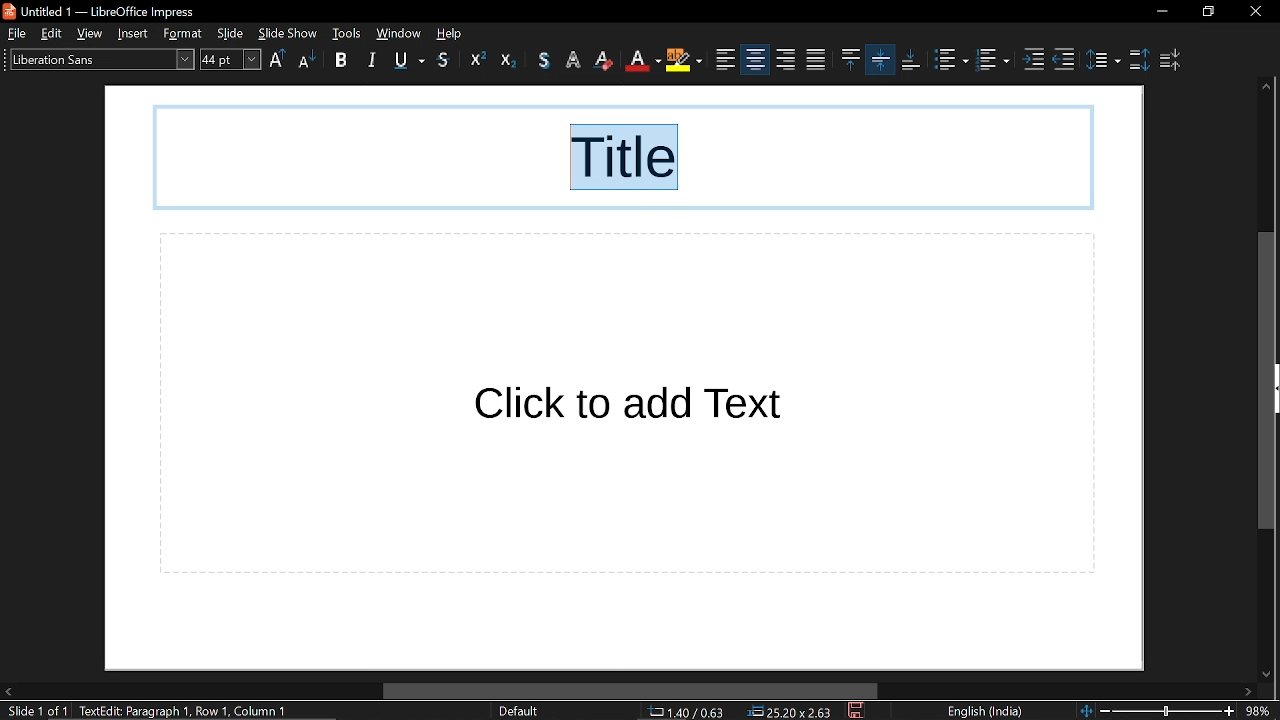 The width and height of the screenshot is (1280, 720). What do you see at coordinates (16, 33) in the screenshot?
I see `file` at bounding box center [16, 33].